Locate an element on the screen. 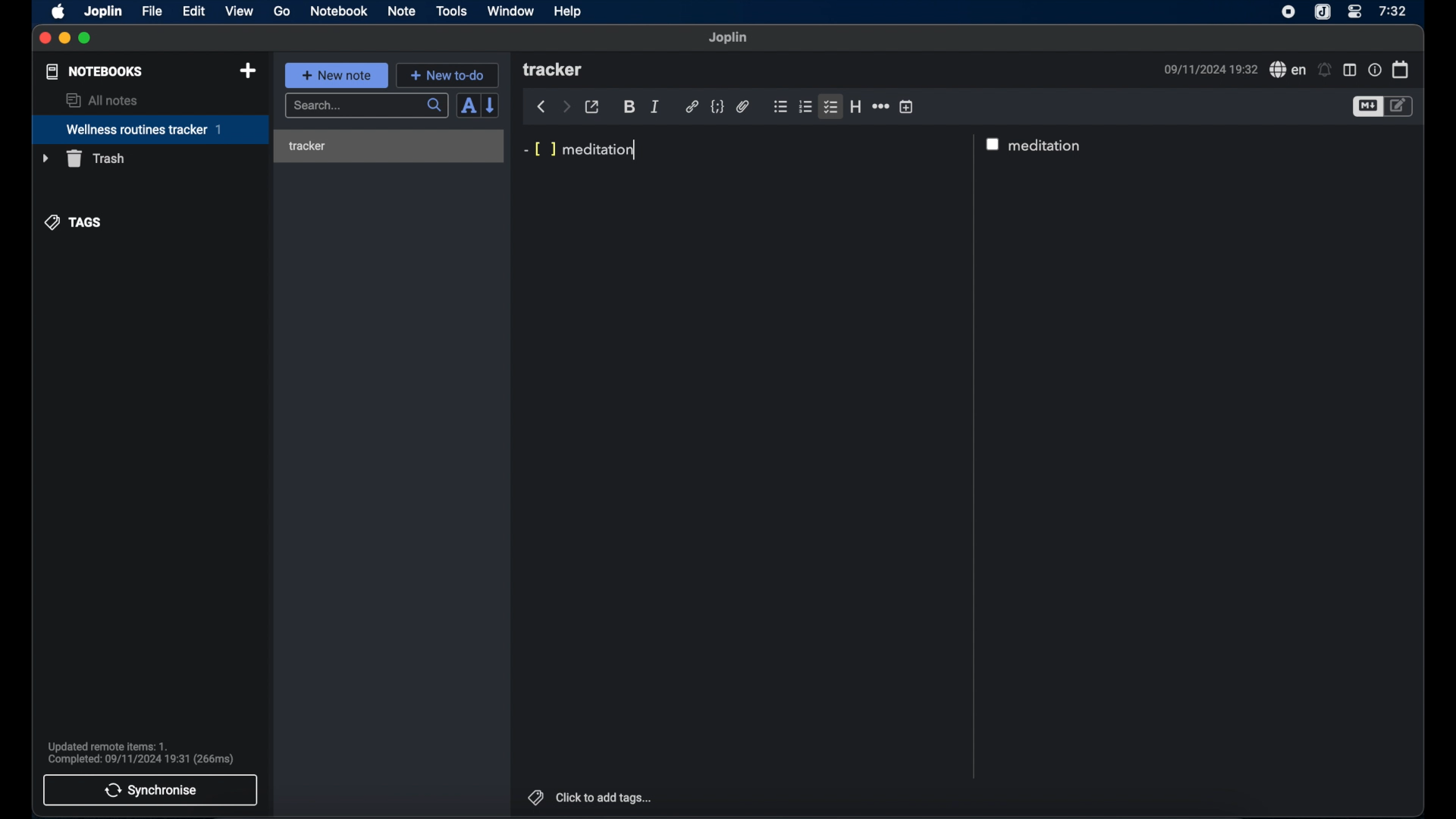 This screenshot has height=819, width=1456. italic is located at coordinates (655, 107).